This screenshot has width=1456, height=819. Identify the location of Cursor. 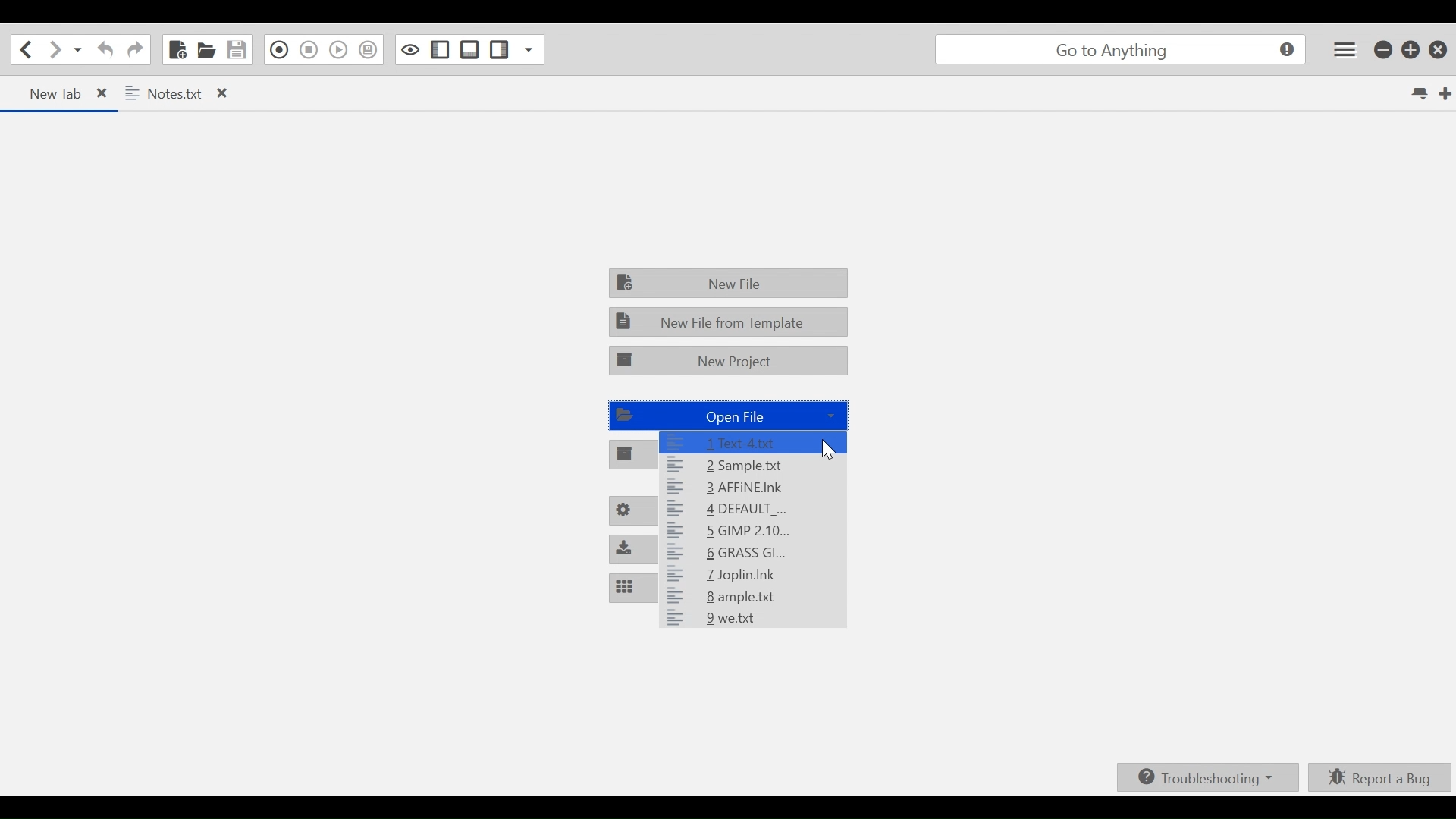
(830, 451).